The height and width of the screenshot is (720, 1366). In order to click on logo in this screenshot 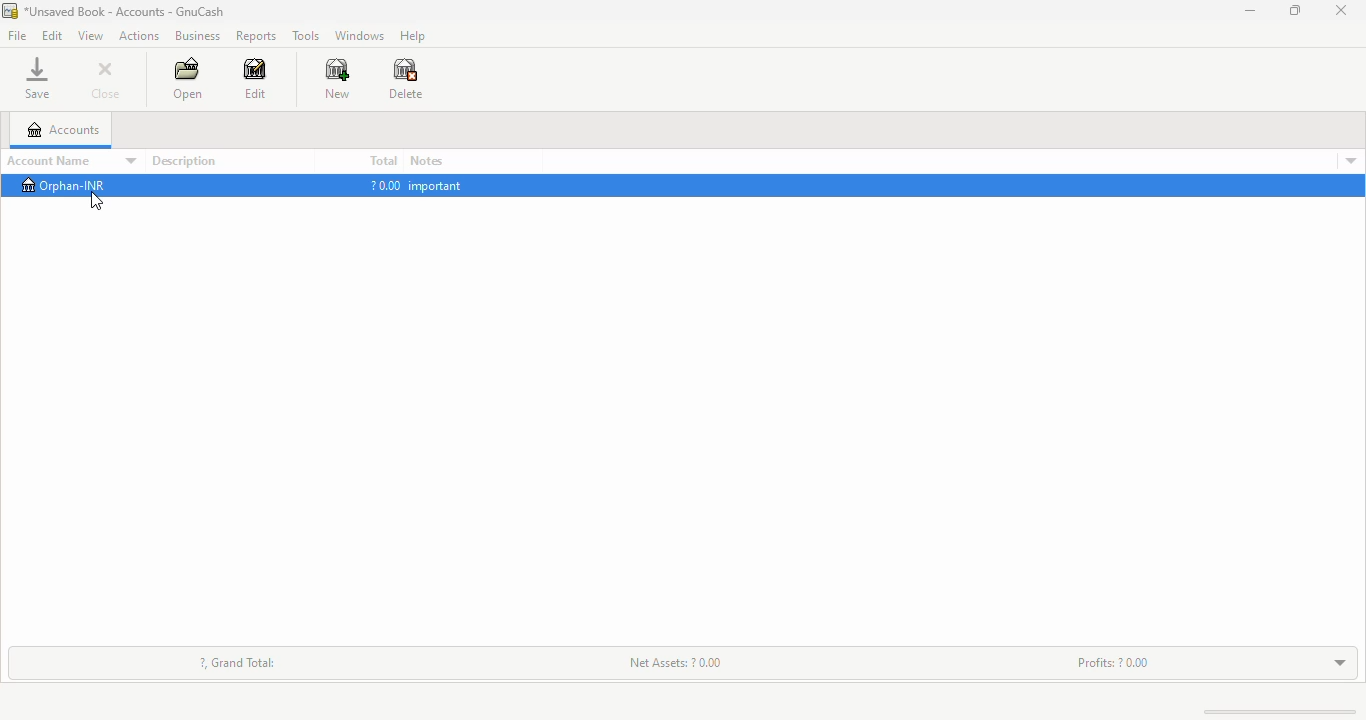, I will do `click(10, 11)`.